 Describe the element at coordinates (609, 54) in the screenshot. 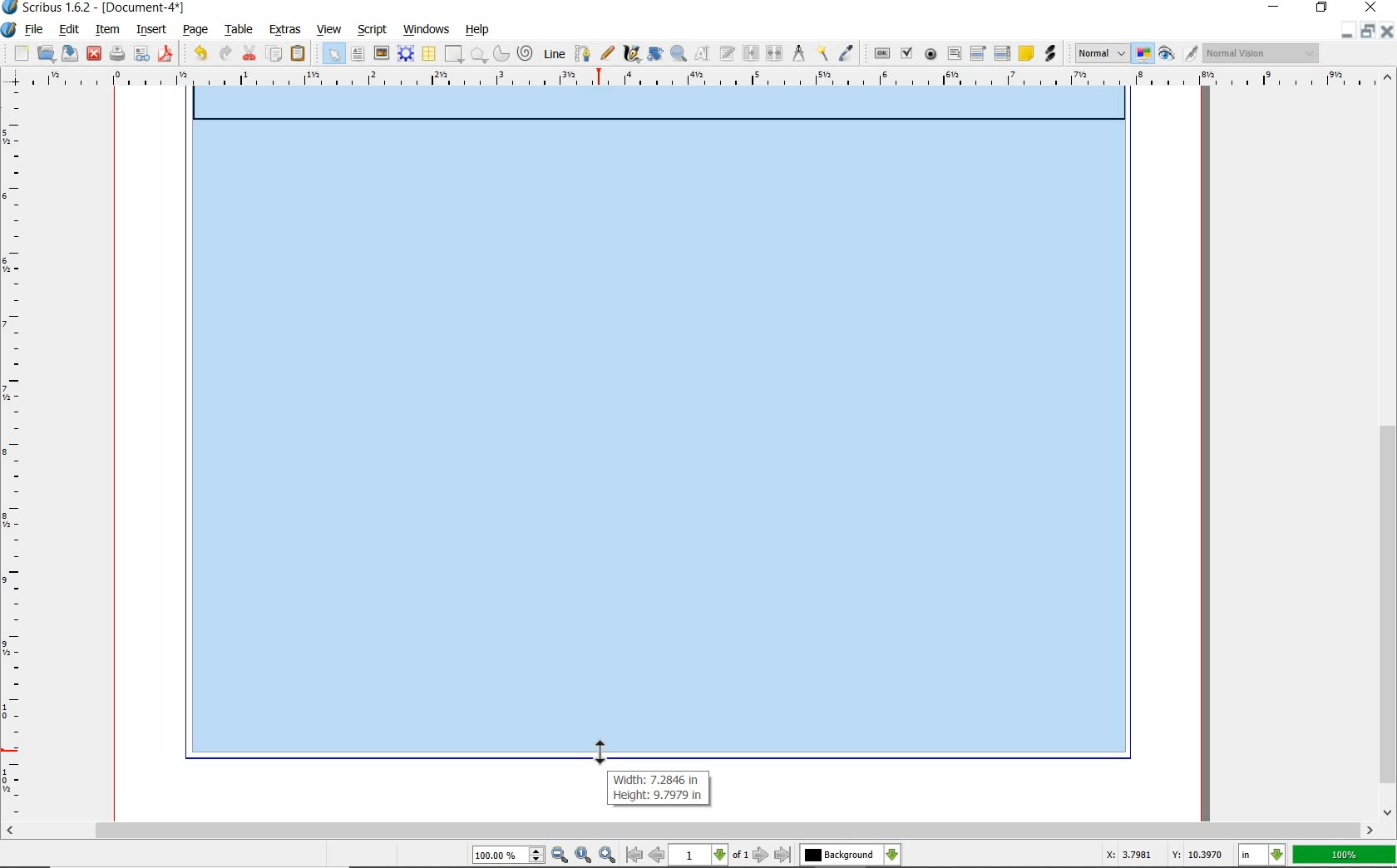

I see `freehand line` at that location.